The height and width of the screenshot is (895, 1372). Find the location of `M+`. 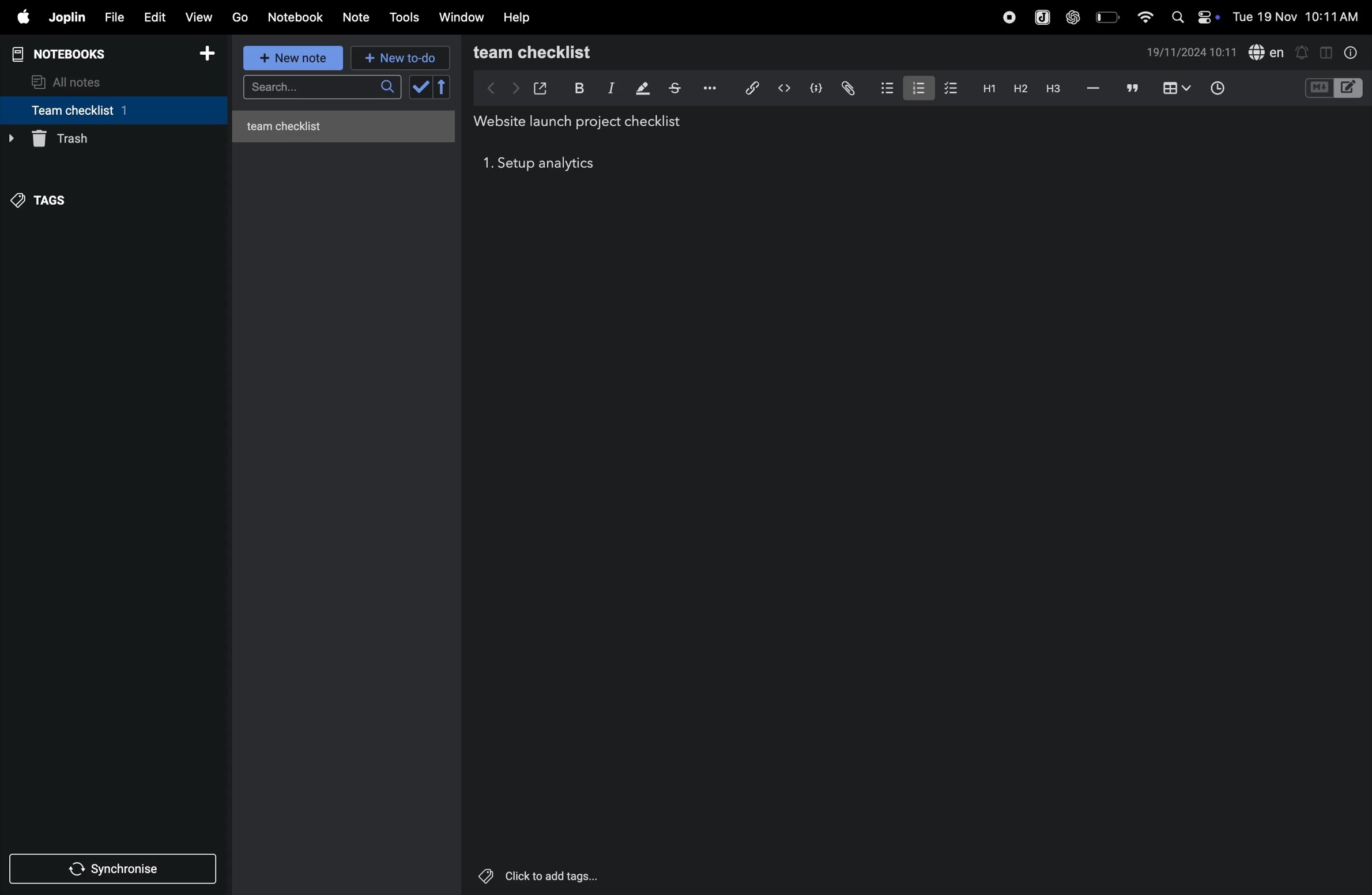

M+ is located at coordinates (1318, 88).